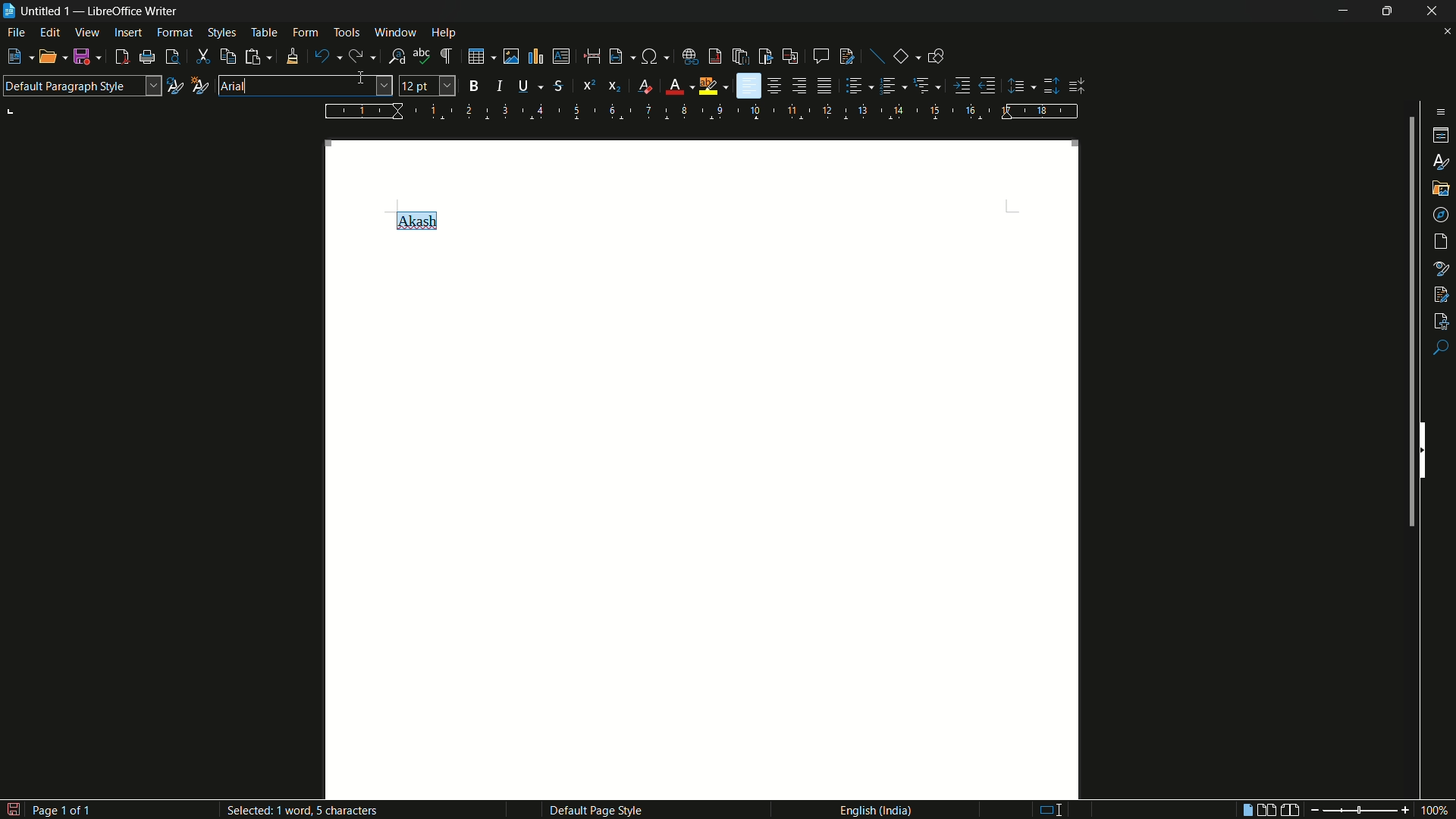 The height and width of the screenshot is (819, 1456). I want to click on find and replace, so click(397, 57).